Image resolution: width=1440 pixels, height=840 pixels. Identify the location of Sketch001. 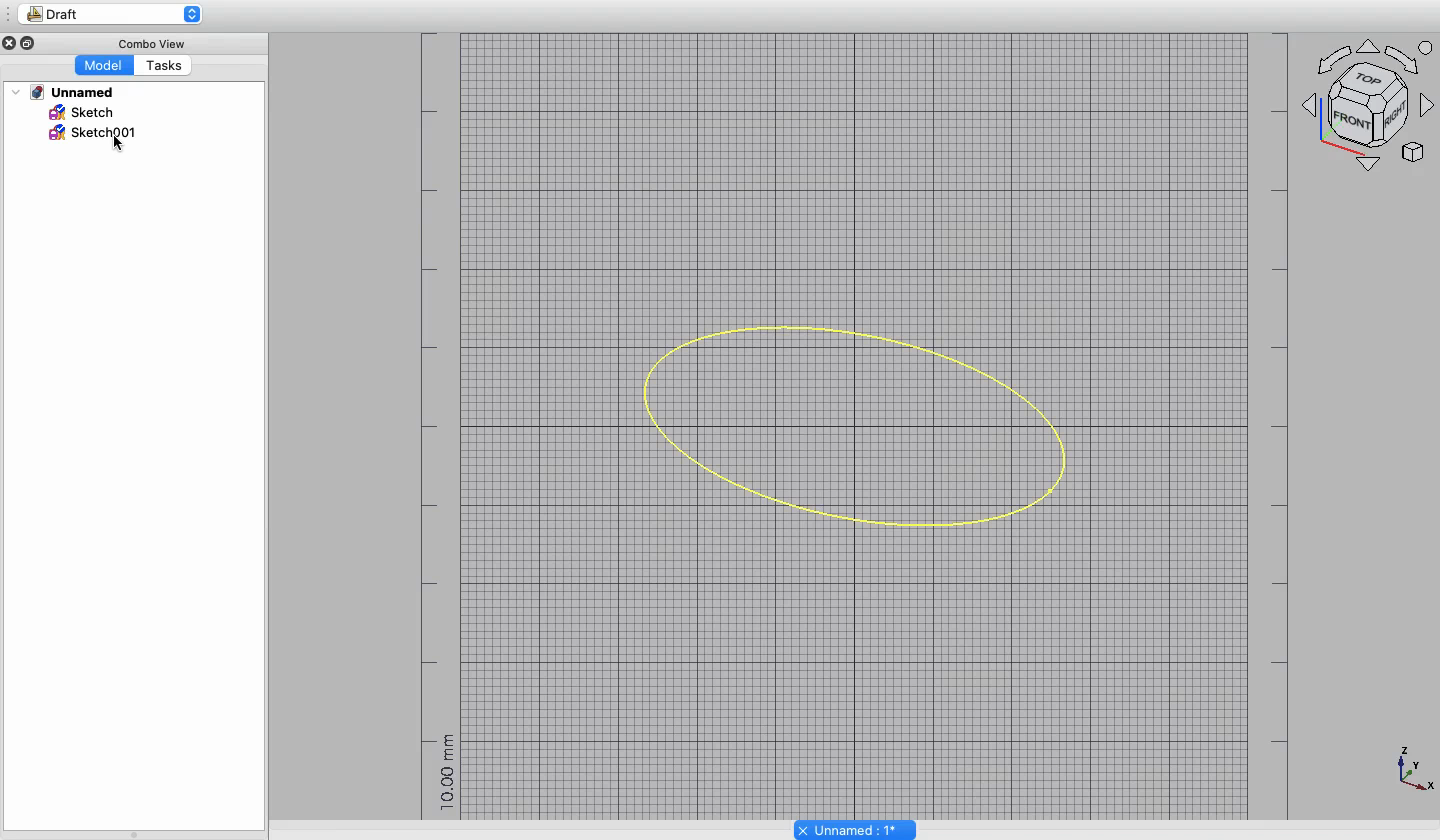
(74, 135).